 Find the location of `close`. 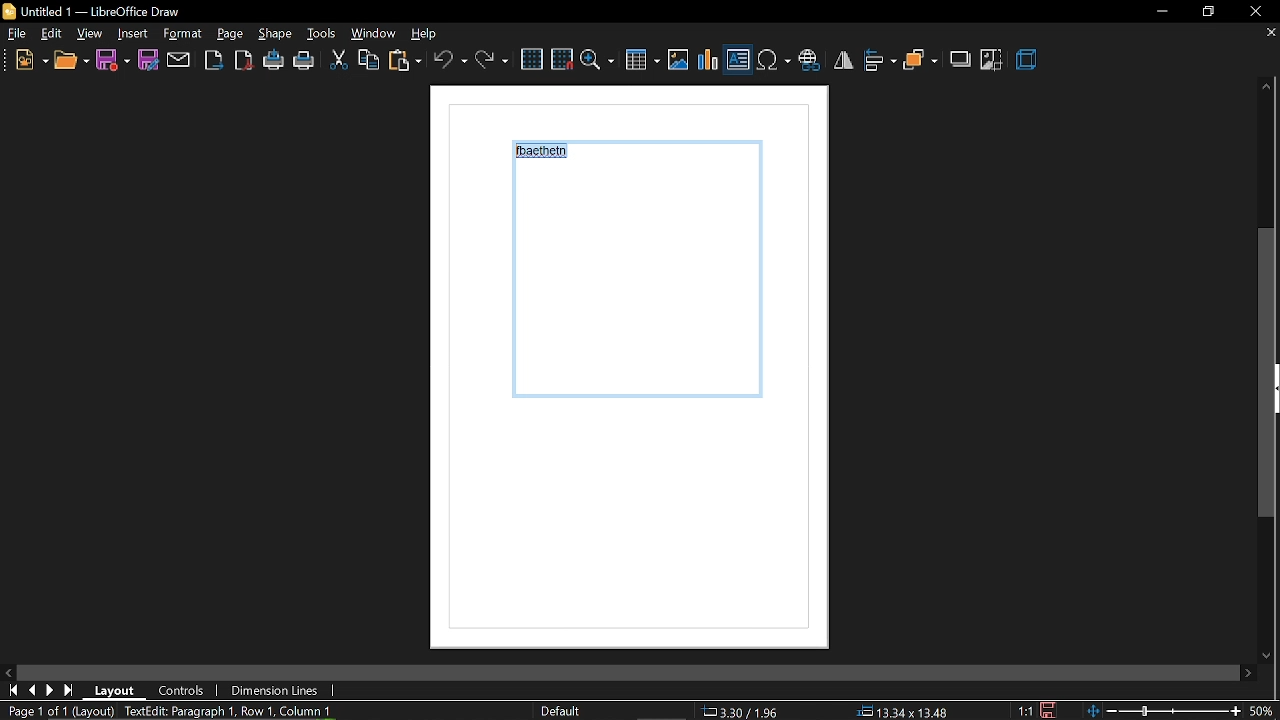

close is located at coordinates (1257, 11).